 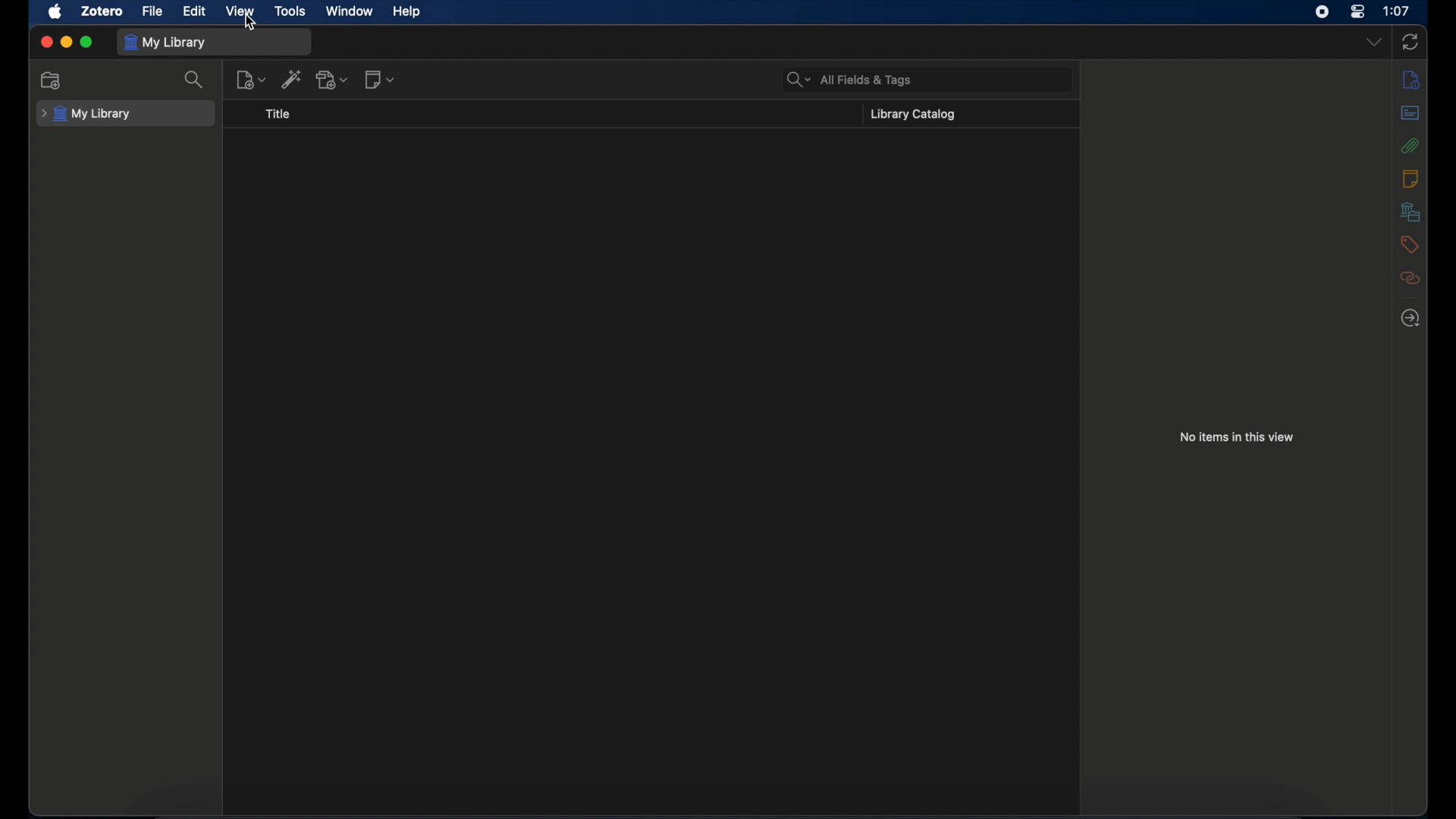 What do you see at coordinates (240, 12) in the screenshot?
I see `view` at bounding box center [240, 12].